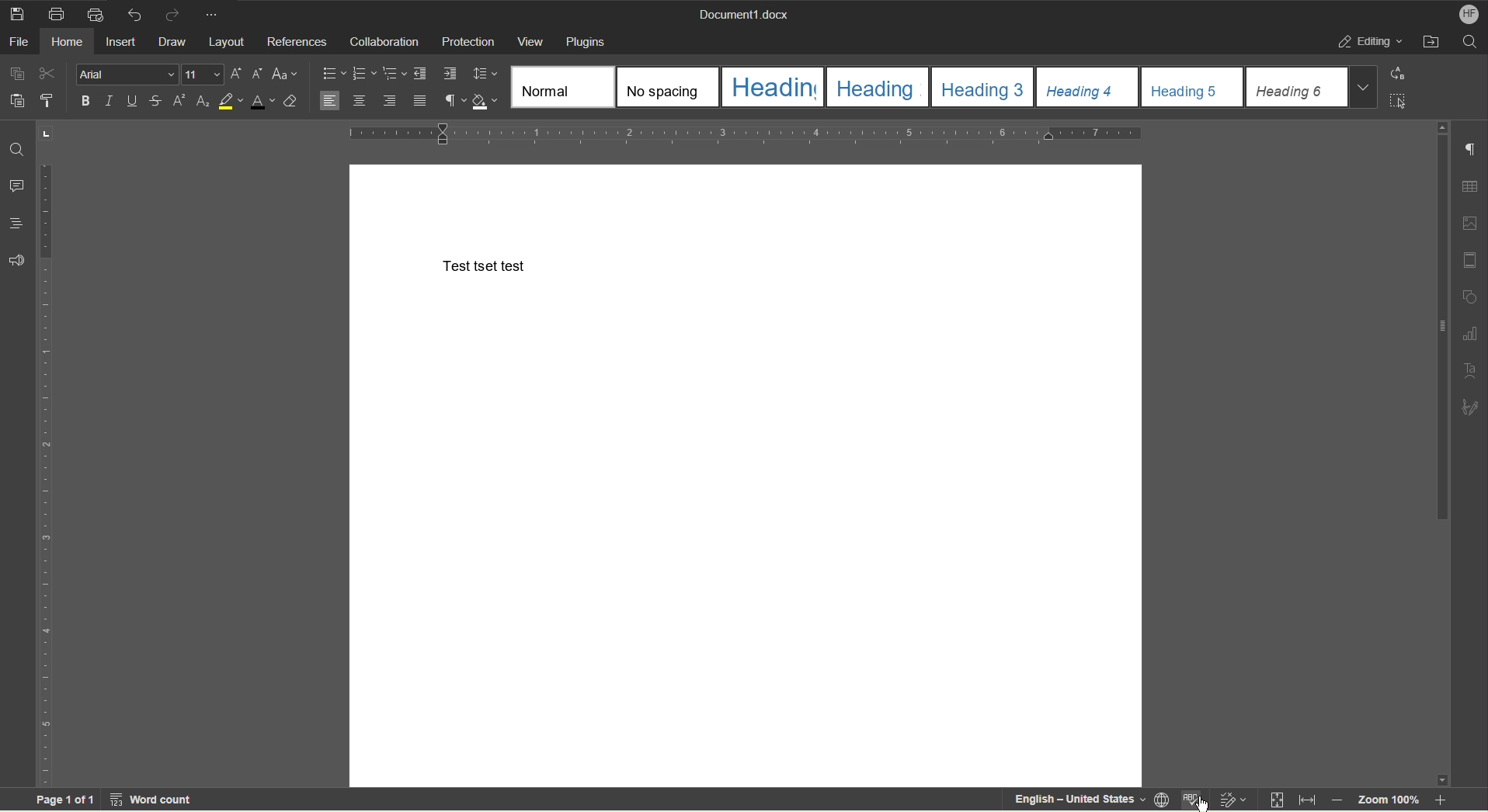 This screenshot has width=1488, height=812. Describe the element at coordinates (204, 102) in the screenshot. I see `Subscript` at that location.